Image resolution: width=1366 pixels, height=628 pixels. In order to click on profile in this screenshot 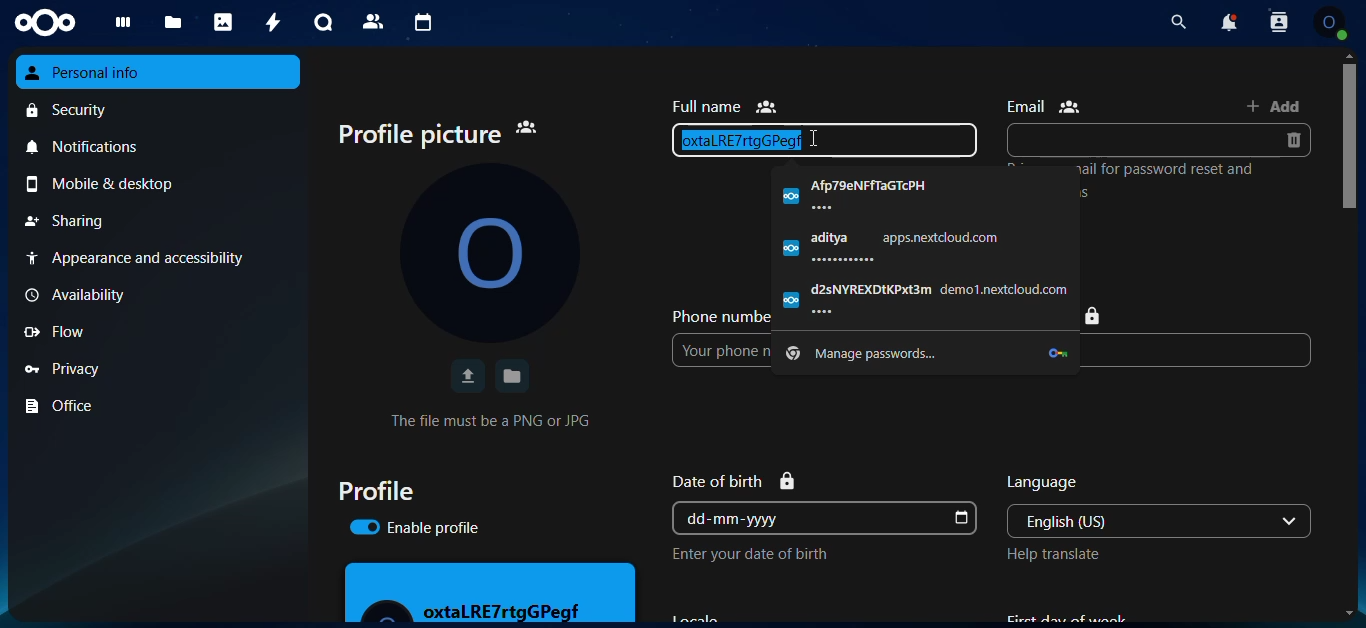, I will do `click(1329, 22)`.